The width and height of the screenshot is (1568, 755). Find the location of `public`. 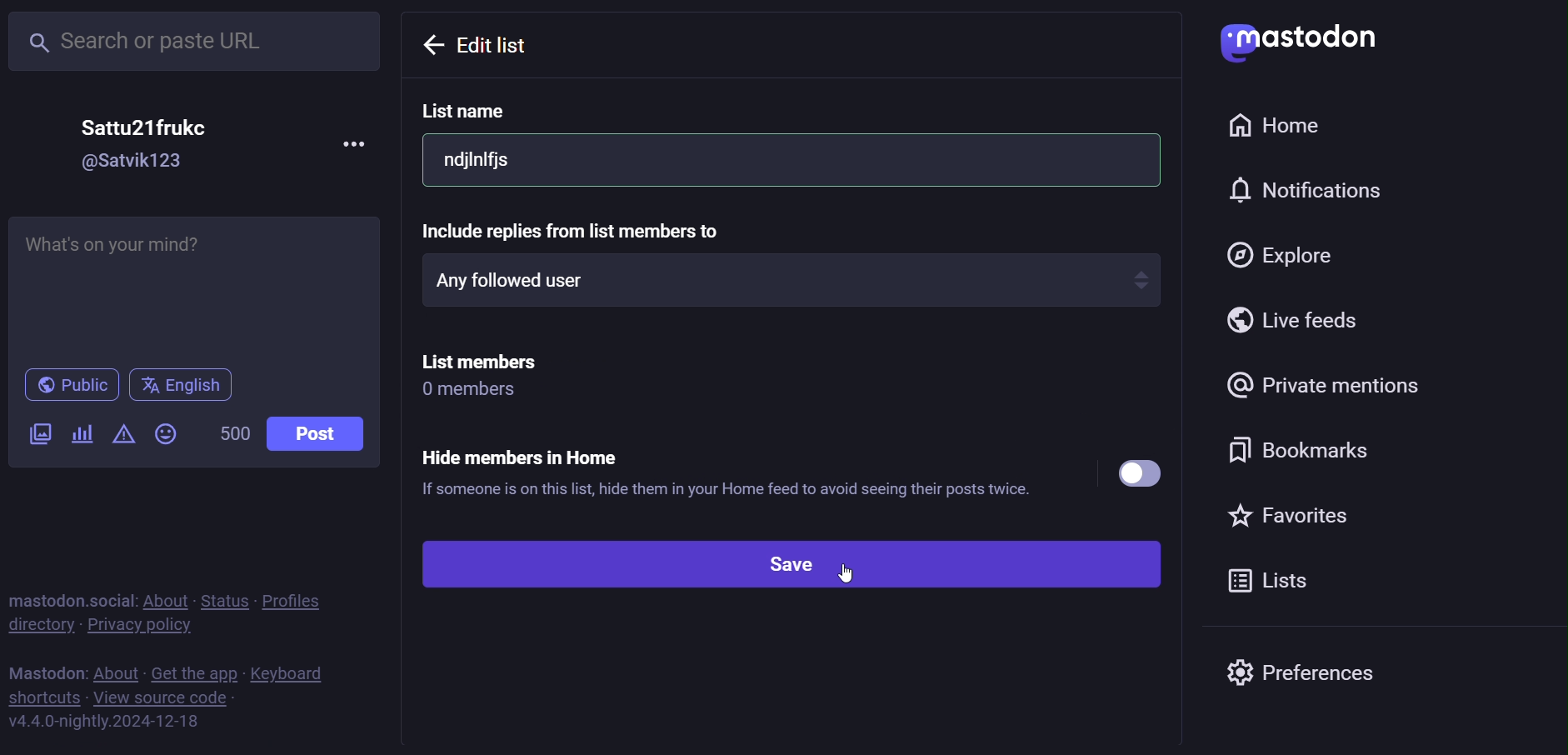

public is located at coordinates (69, 384).